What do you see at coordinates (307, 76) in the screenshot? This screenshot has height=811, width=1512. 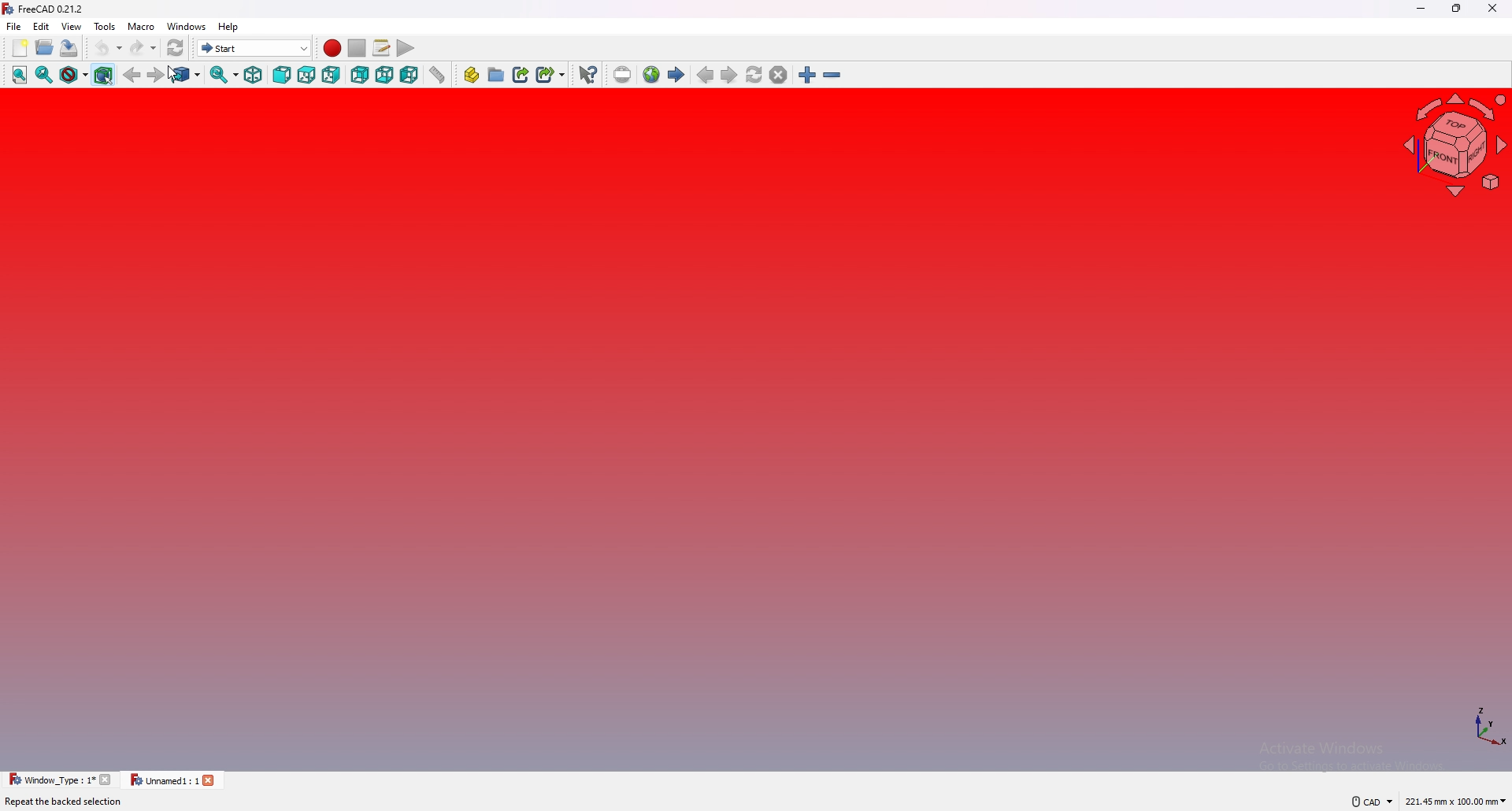 I see `top` at bounding box center [307, 76].